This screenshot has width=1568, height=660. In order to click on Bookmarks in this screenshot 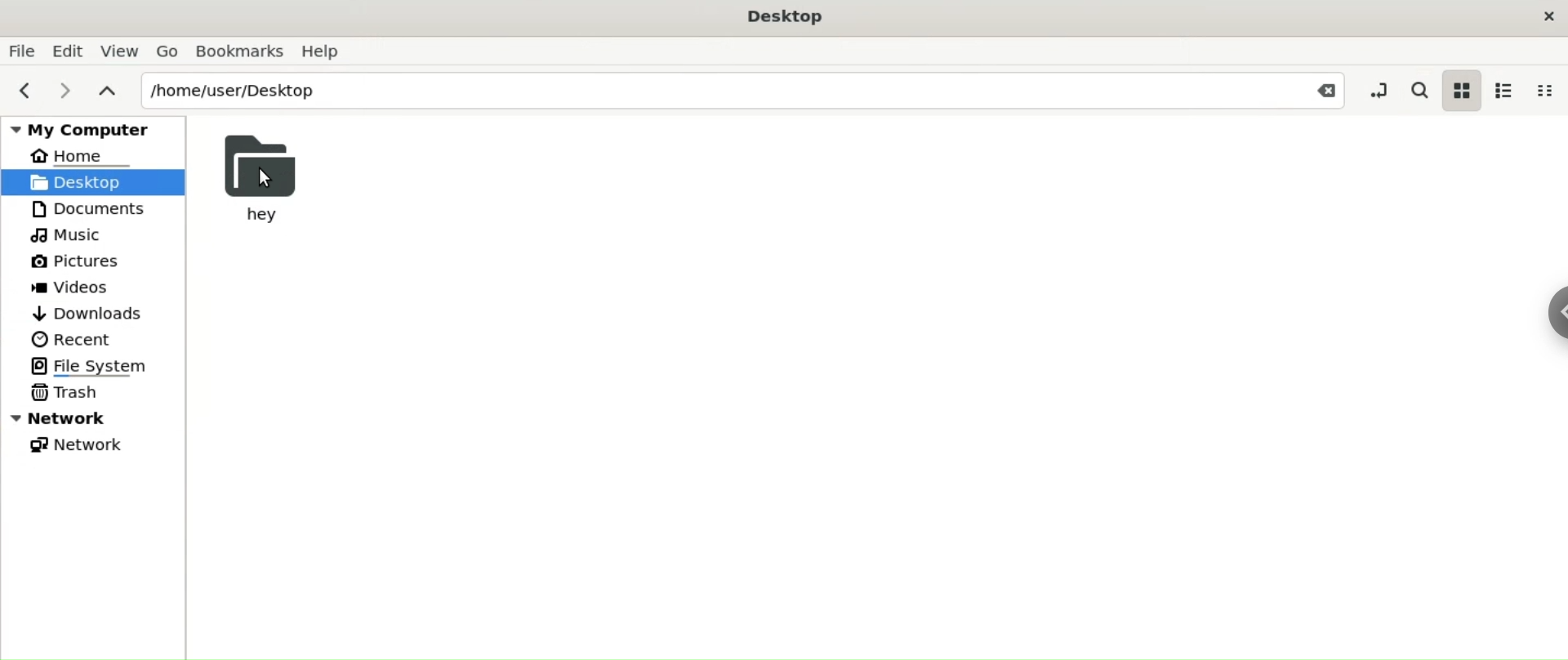, I will do `click(241, 51)`.